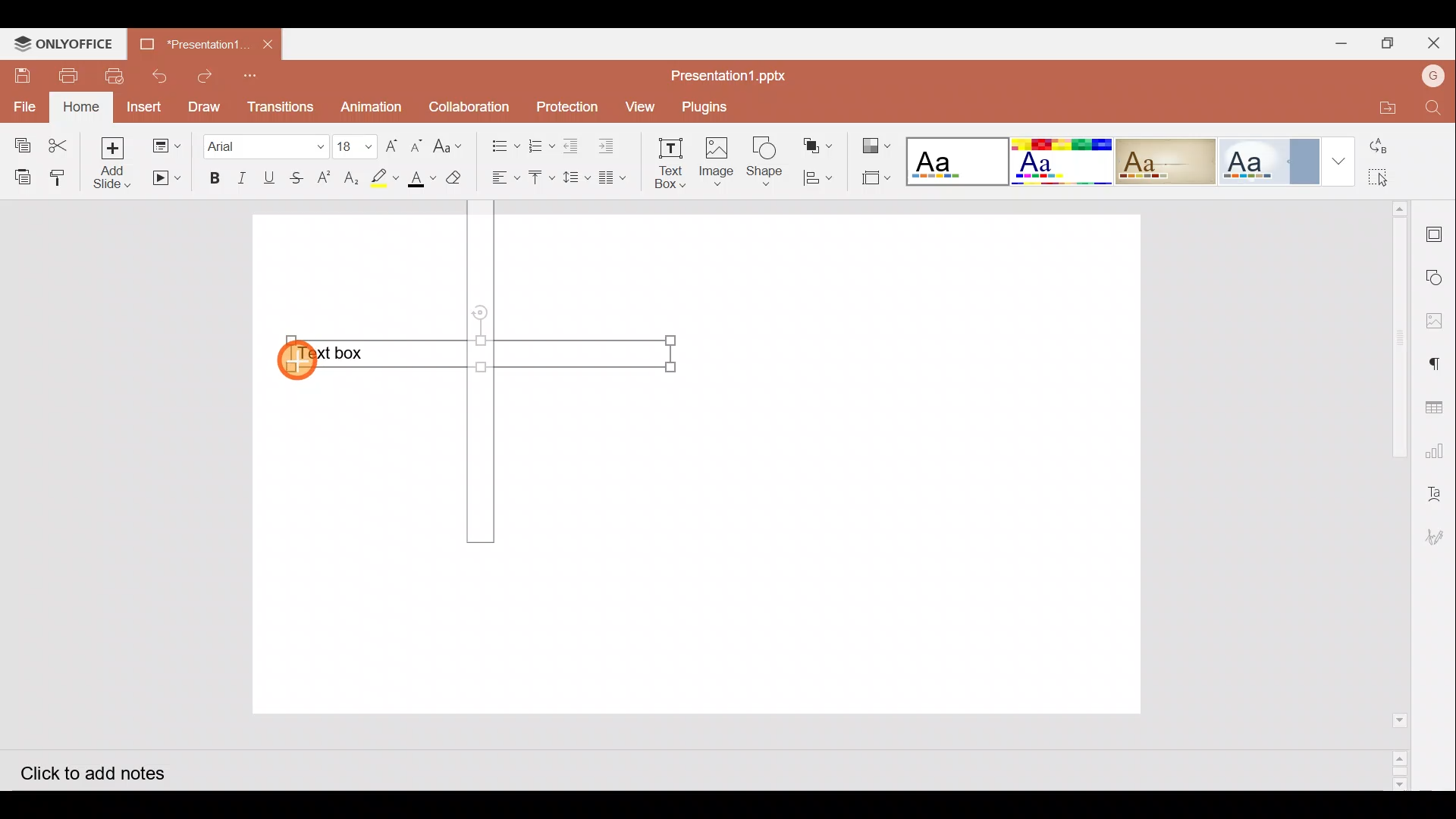  What do you see at coordinates (1436, 539) in the screenshot?
I see `Signature settings` at bounding box center [1436, 539].